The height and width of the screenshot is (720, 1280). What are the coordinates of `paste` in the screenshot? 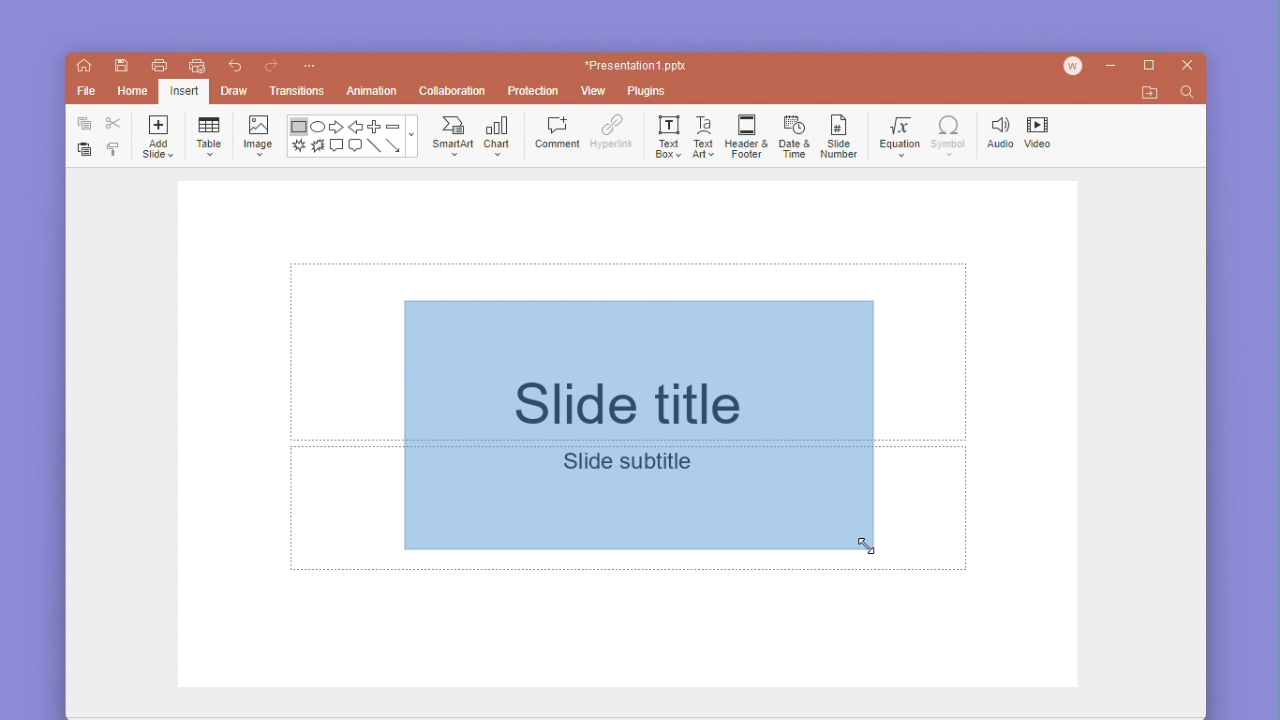 It's located at (79, 151).